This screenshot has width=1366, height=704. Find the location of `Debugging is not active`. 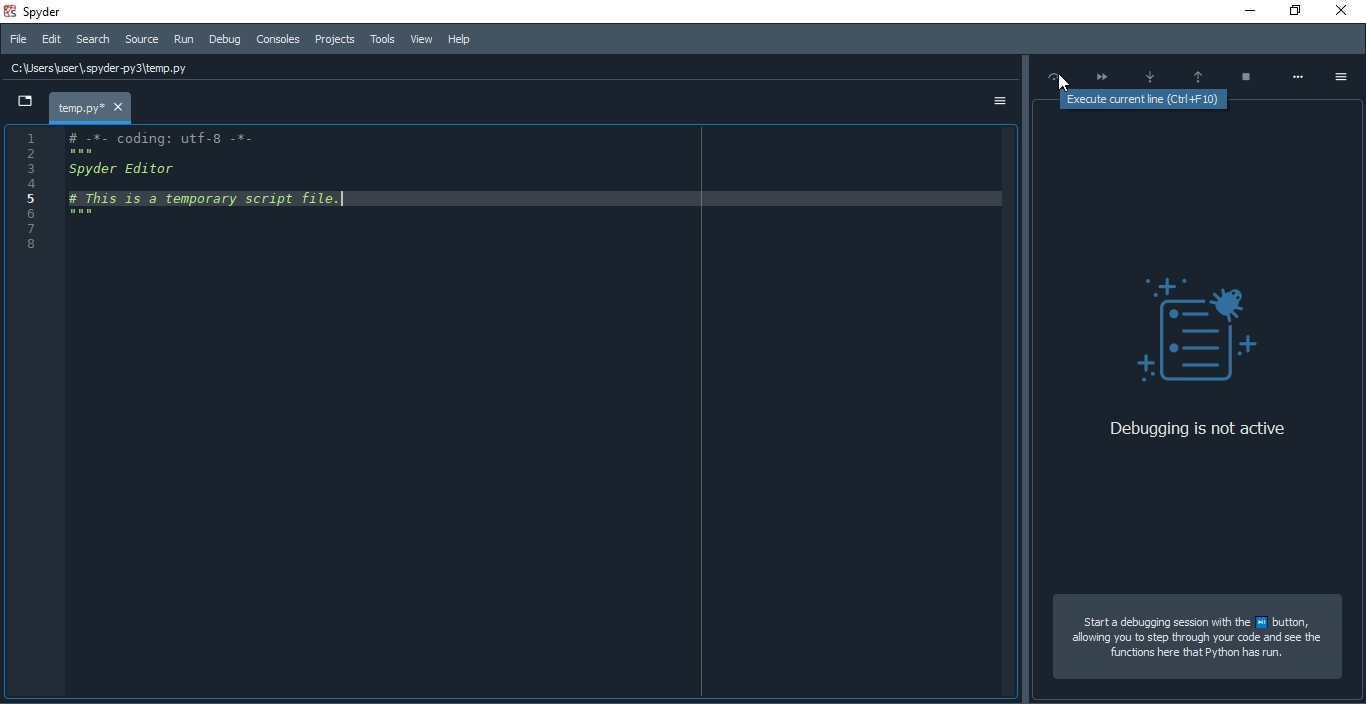

Debugging is not active is located at coordinates (1191, 428).